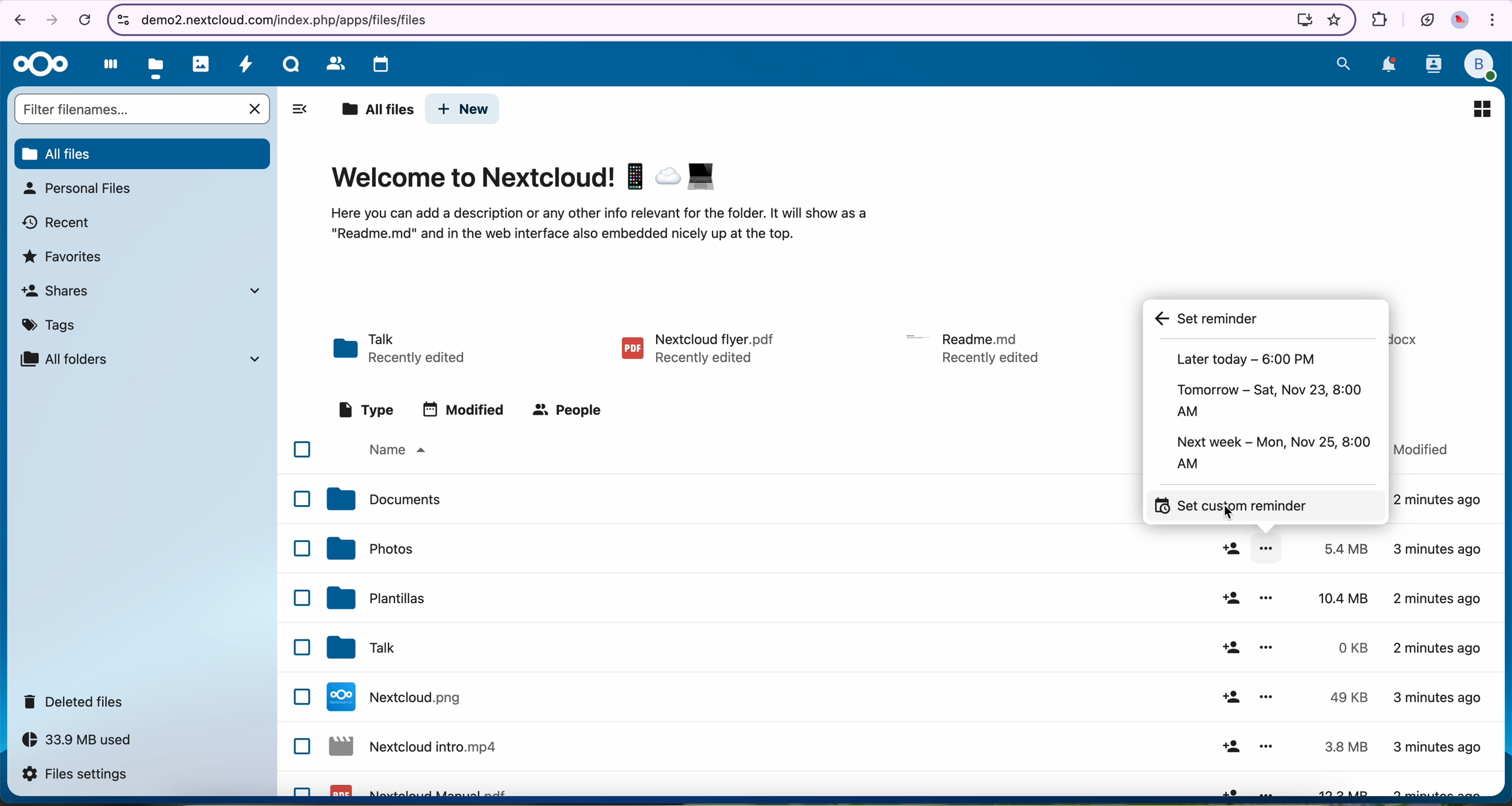 This screenshot has height=806, width=1512. I want to click on contacts, so click(1432, 66).